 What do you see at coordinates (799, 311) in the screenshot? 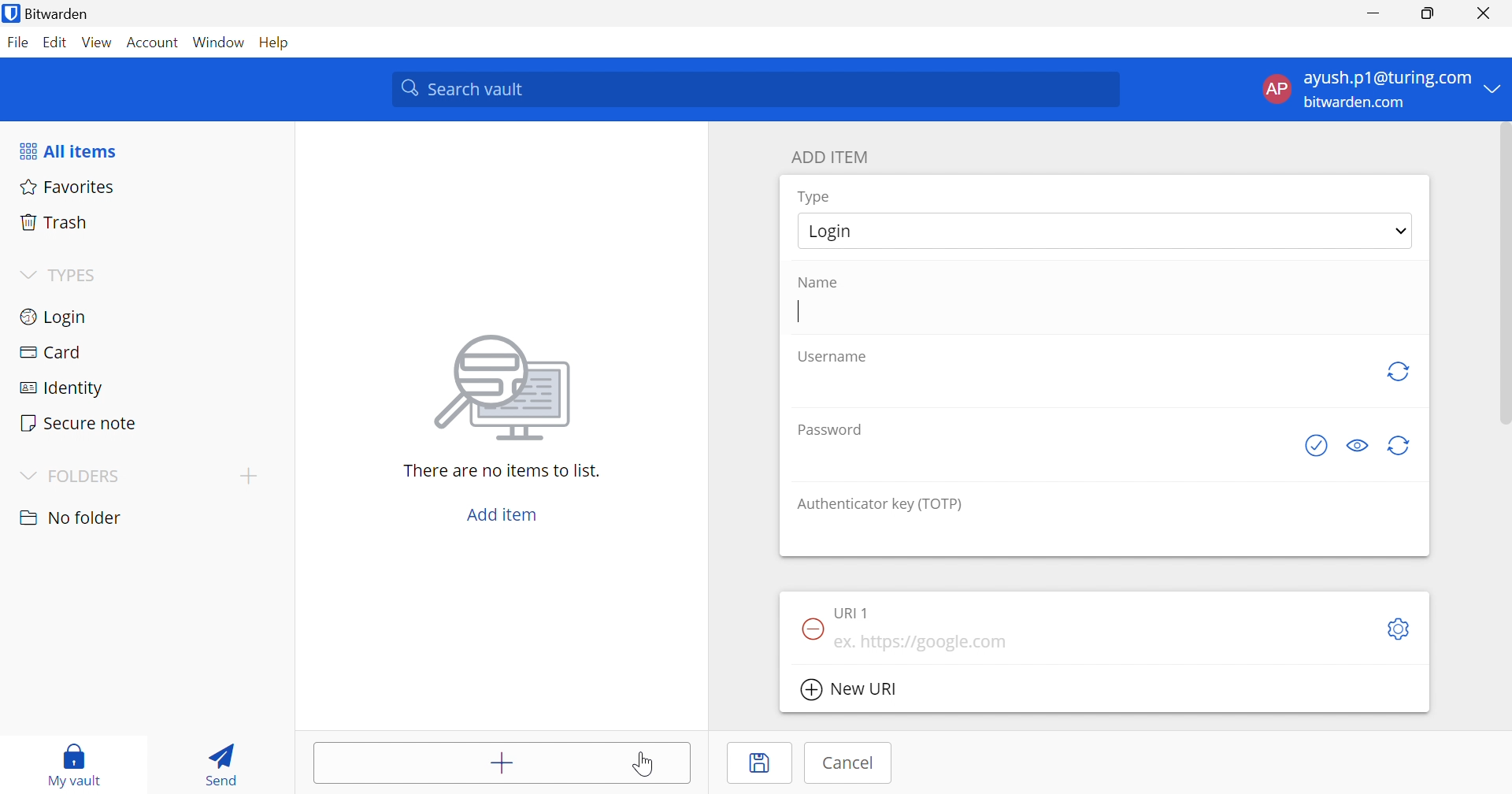
I see `Typing carsor` at bounding box center [799, 311].